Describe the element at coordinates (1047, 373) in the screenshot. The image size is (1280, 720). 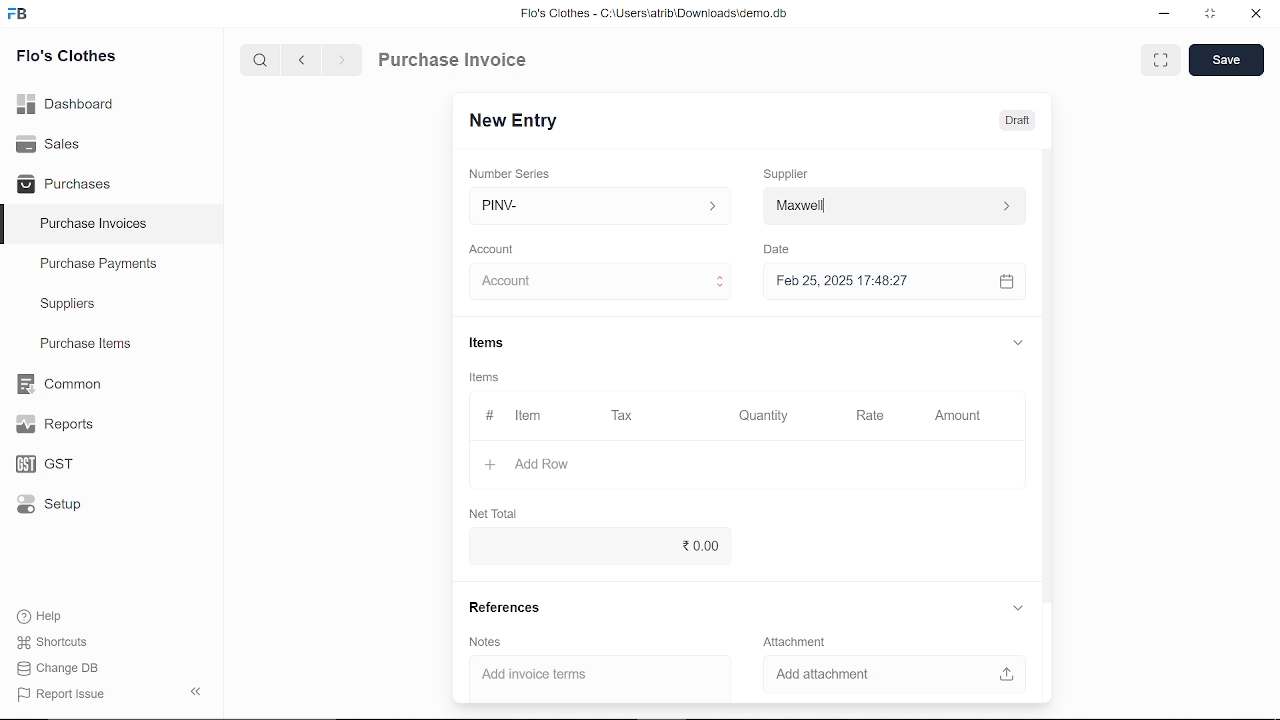
I see `vertical scrollbar` at that location.